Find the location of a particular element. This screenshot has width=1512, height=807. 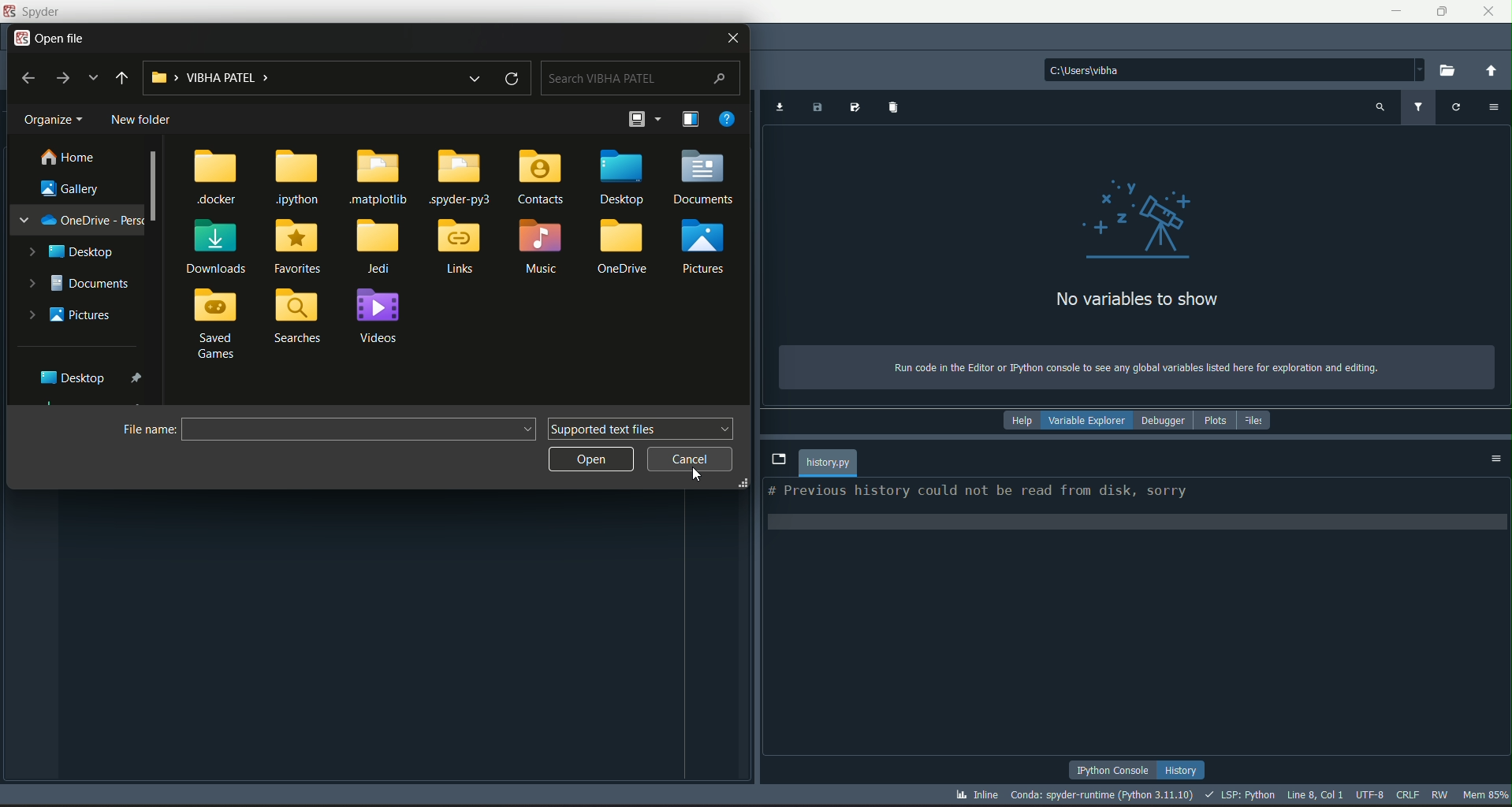

import data is located at coordinates (779, 109).